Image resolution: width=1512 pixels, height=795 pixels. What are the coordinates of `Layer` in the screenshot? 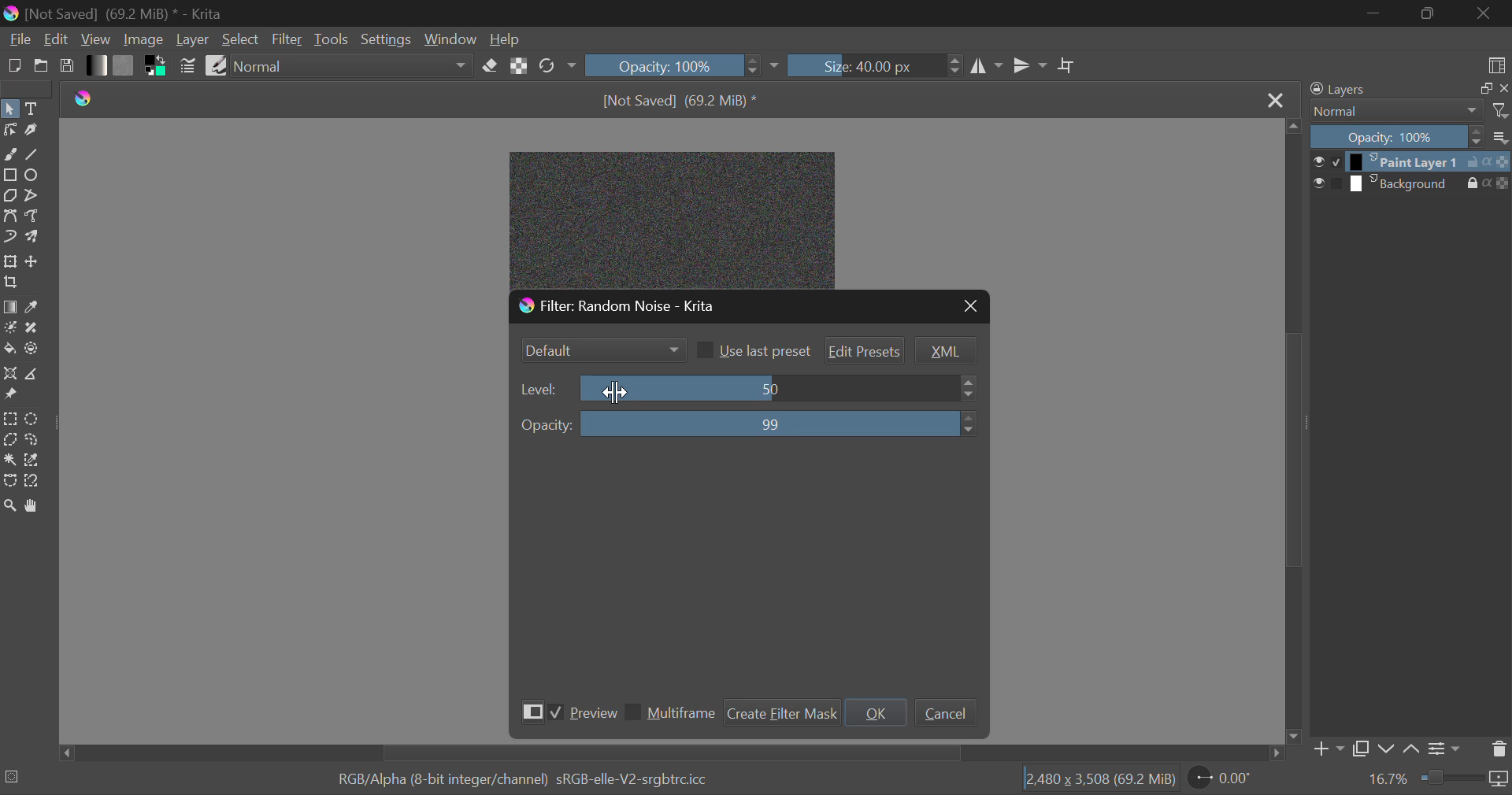 It's located at (193, 40).